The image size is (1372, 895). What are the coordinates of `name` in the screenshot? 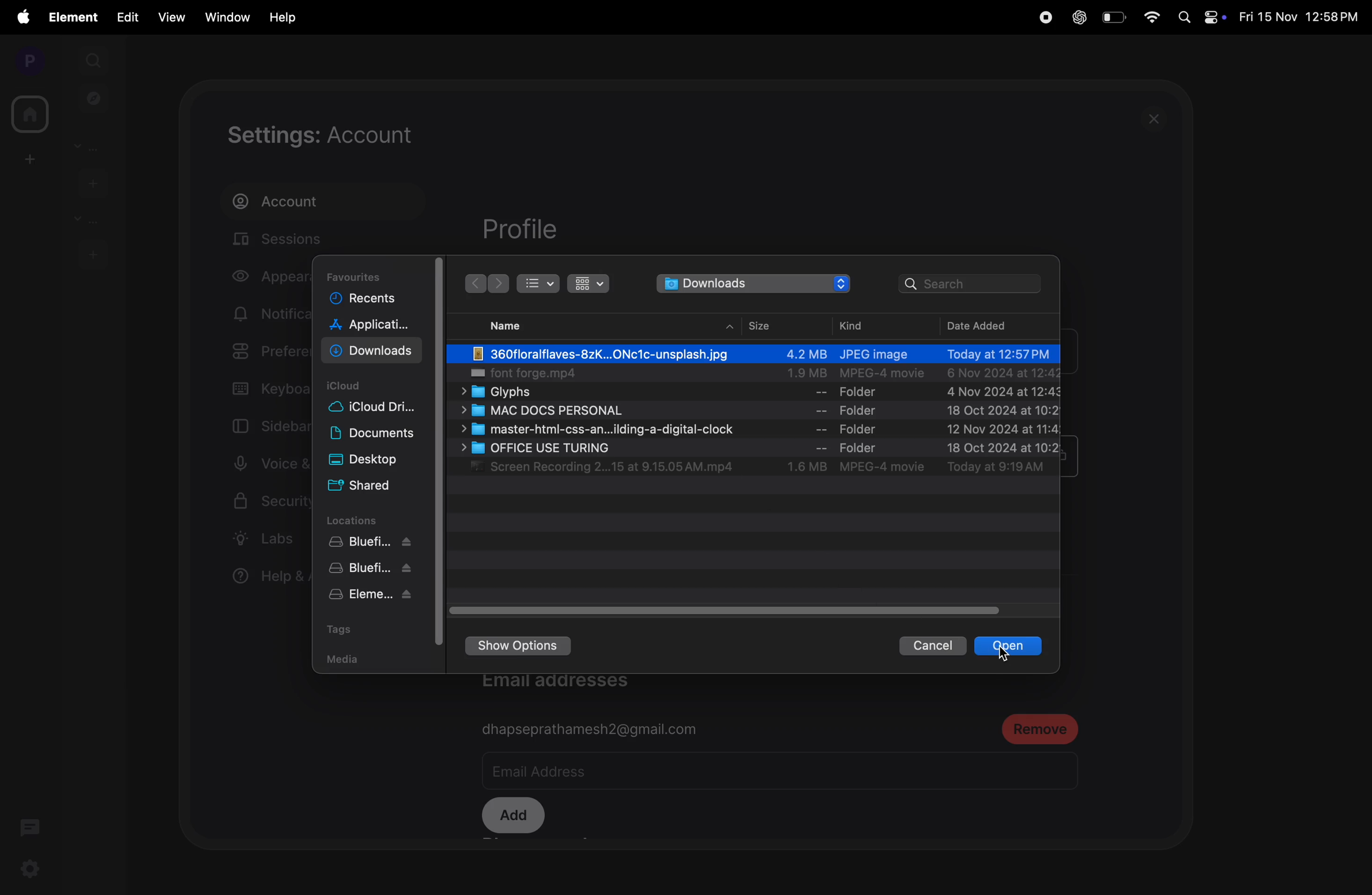 It's located at (510, 325).